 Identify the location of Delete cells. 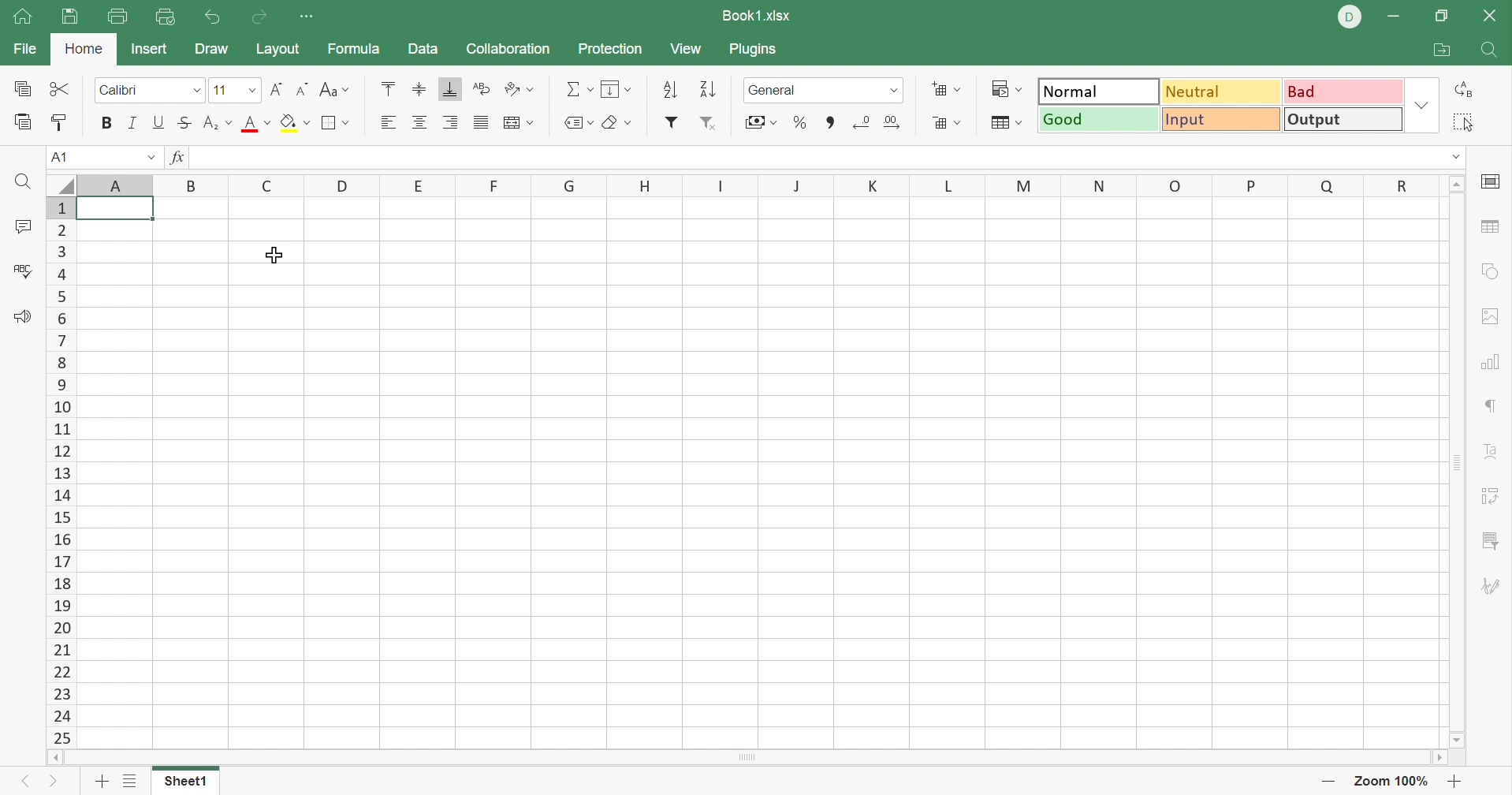
(949, 124).